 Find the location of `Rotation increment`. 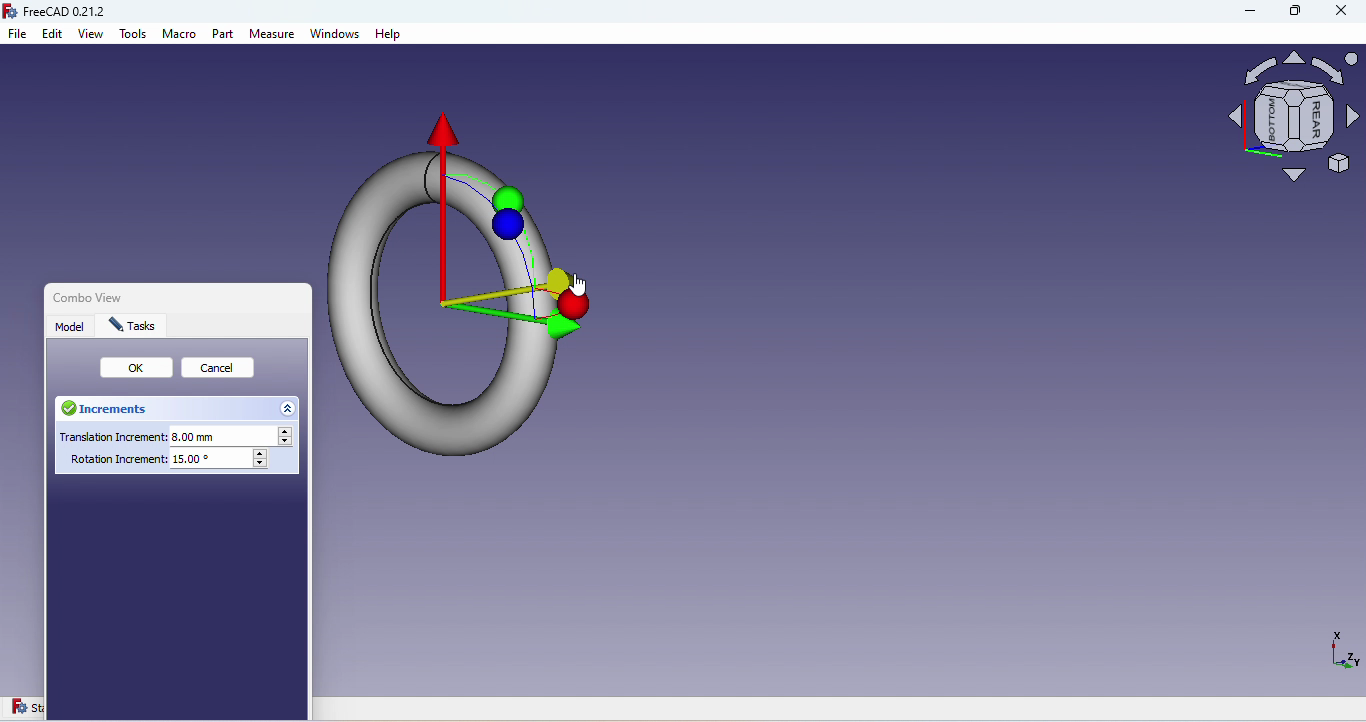

Rotation increment is located at coordinates (160, 463).